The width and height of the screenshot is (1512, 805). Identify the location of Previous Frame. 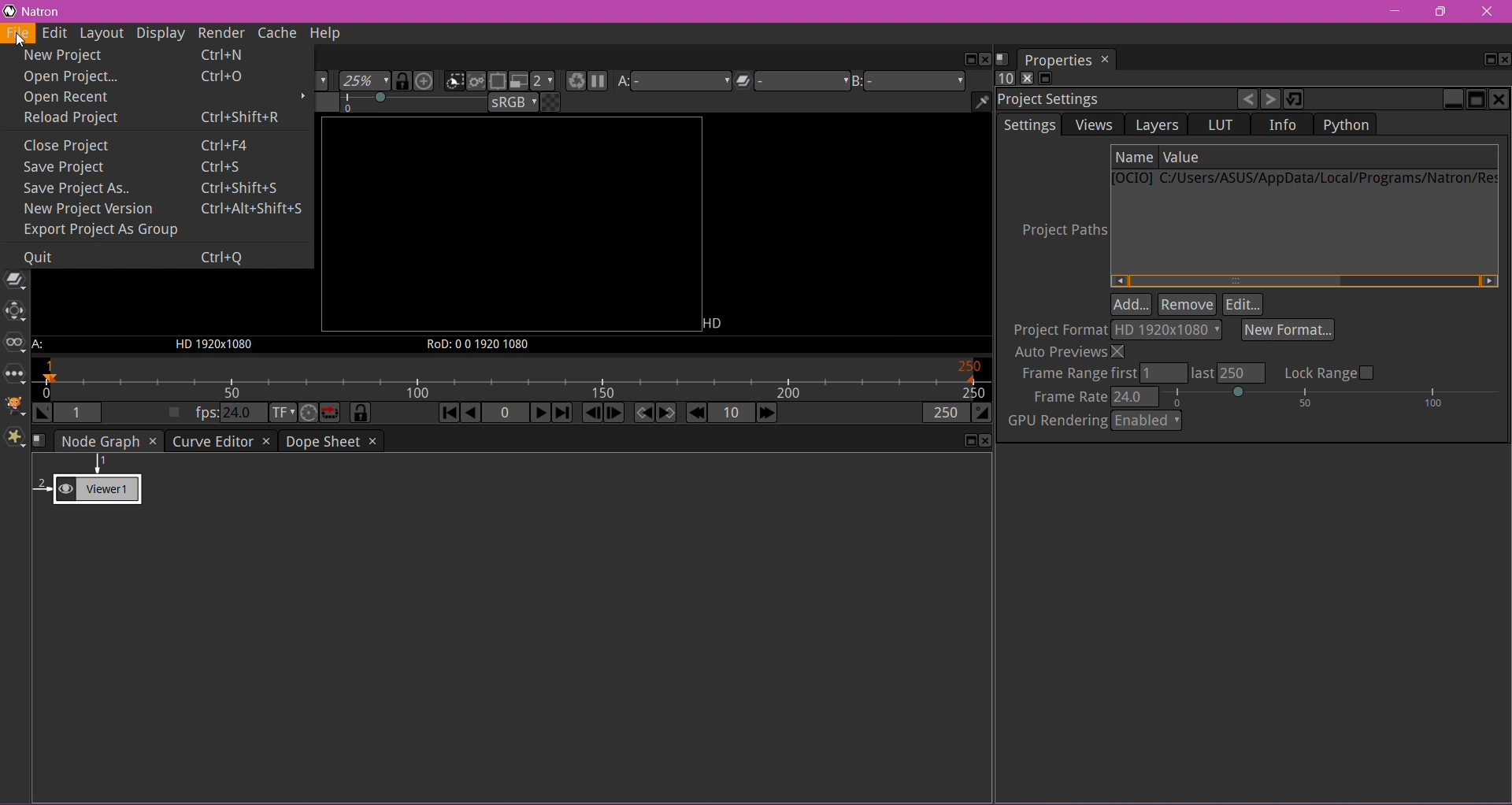
(591, 414).